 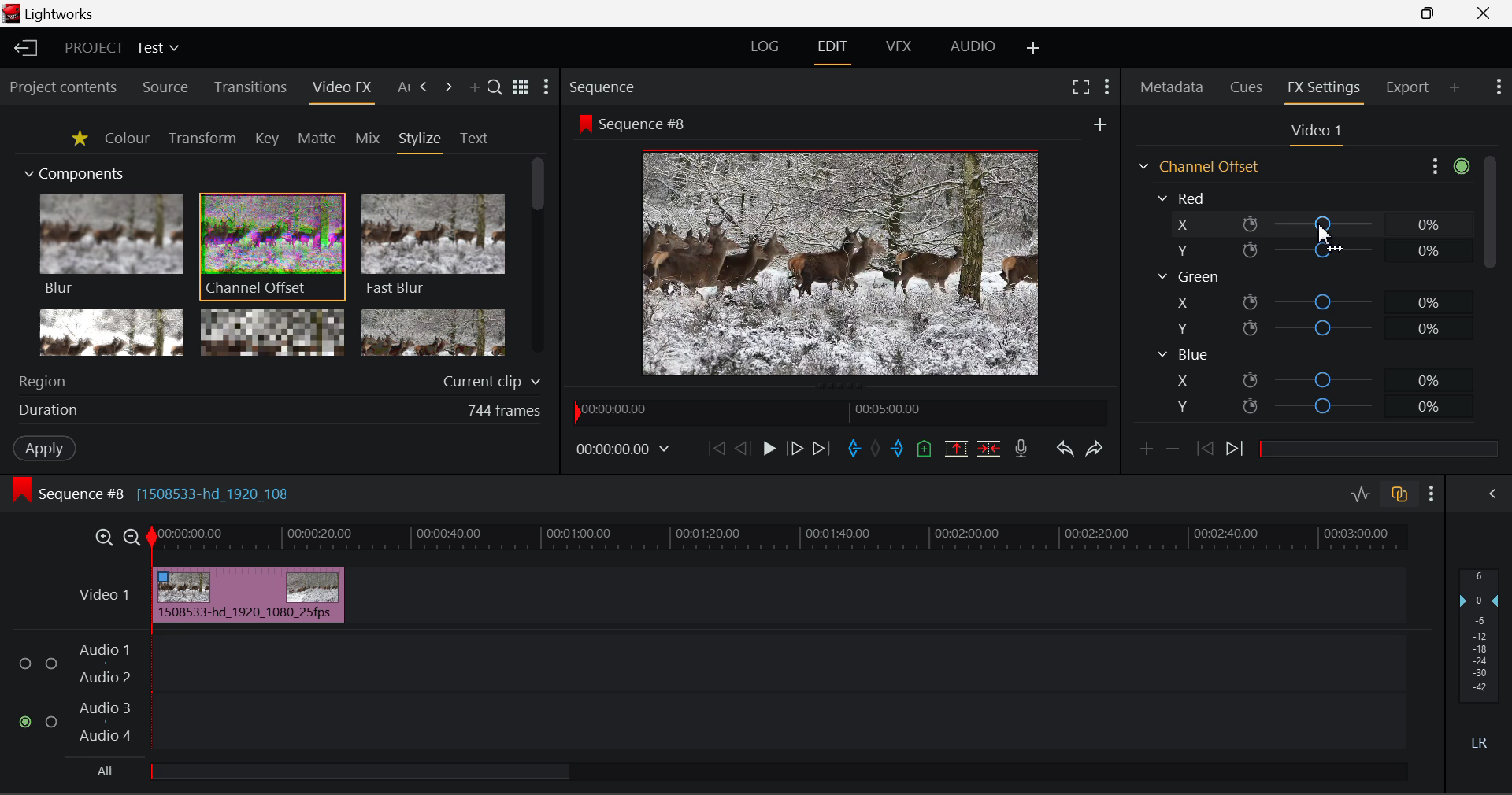 What do you see at coordinates (1313, 405) in the screenshot?
I see `Blue Y` at bounding box center [1313, 405].